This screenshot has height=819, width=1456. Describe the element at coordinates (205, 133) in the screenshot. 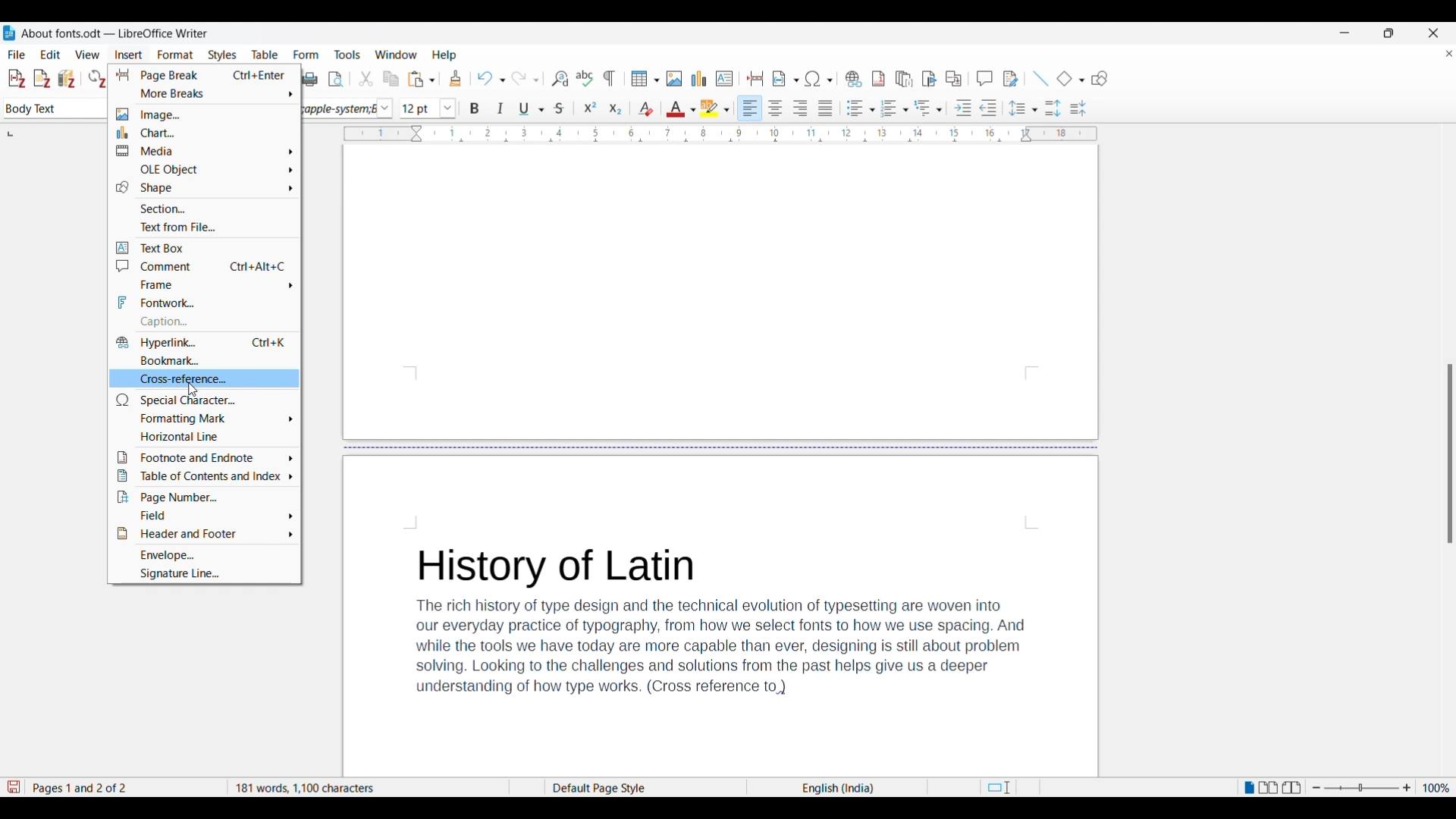

I see `Chart` at that location.